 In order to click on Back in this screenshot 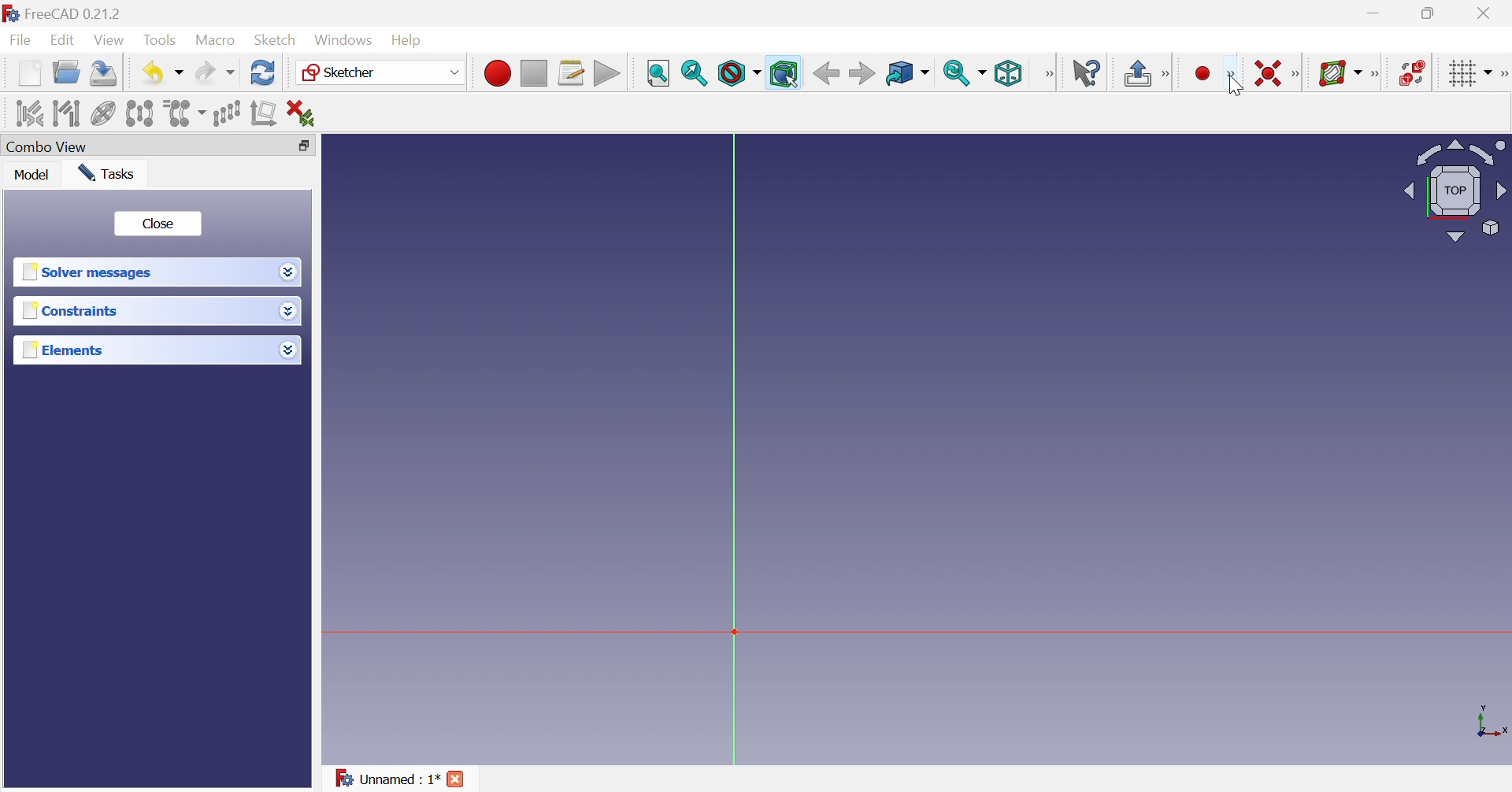, I will do `click(826, 74)`.